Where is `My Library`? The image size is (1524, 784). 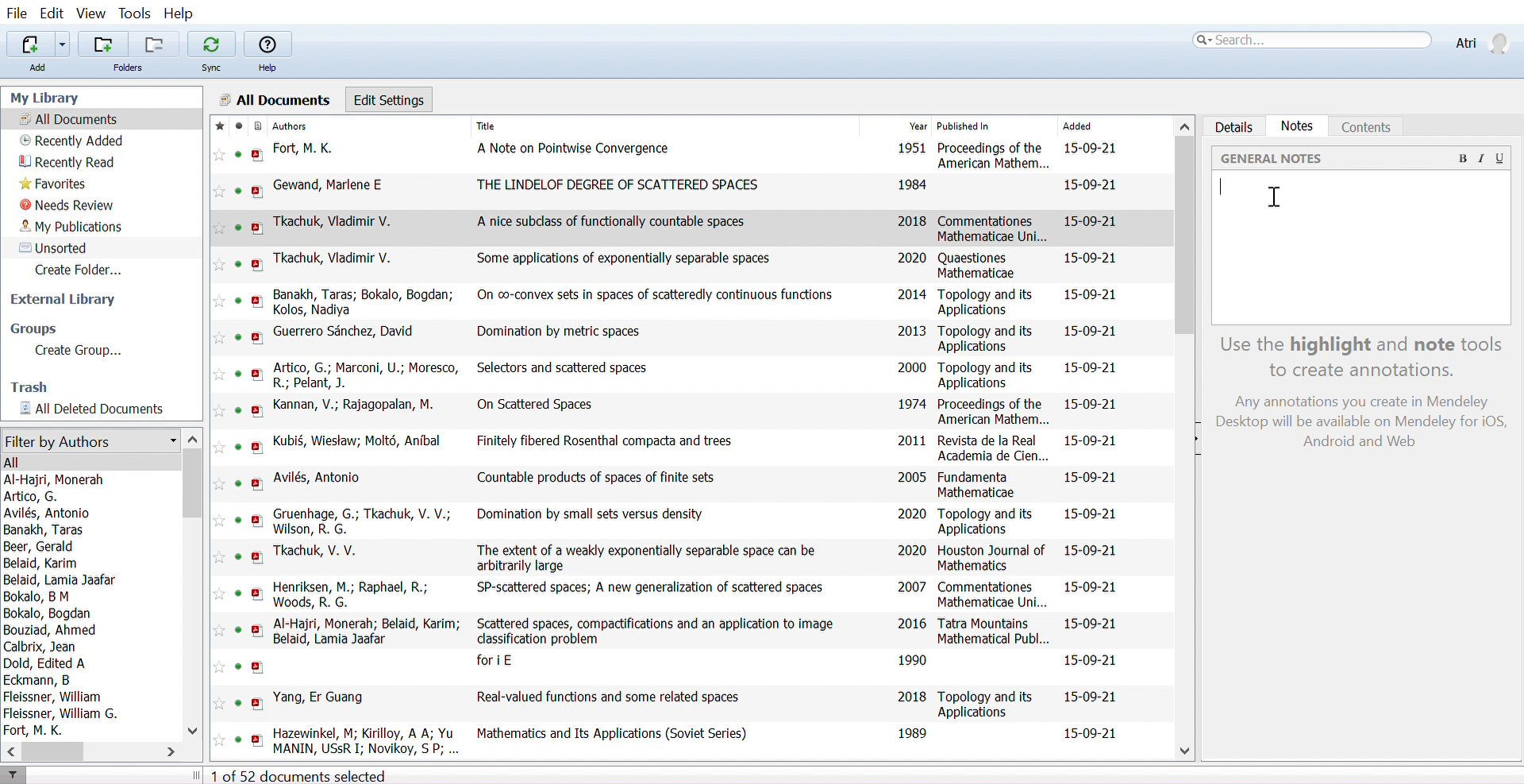 My Library is located at coordinates (45, 97).